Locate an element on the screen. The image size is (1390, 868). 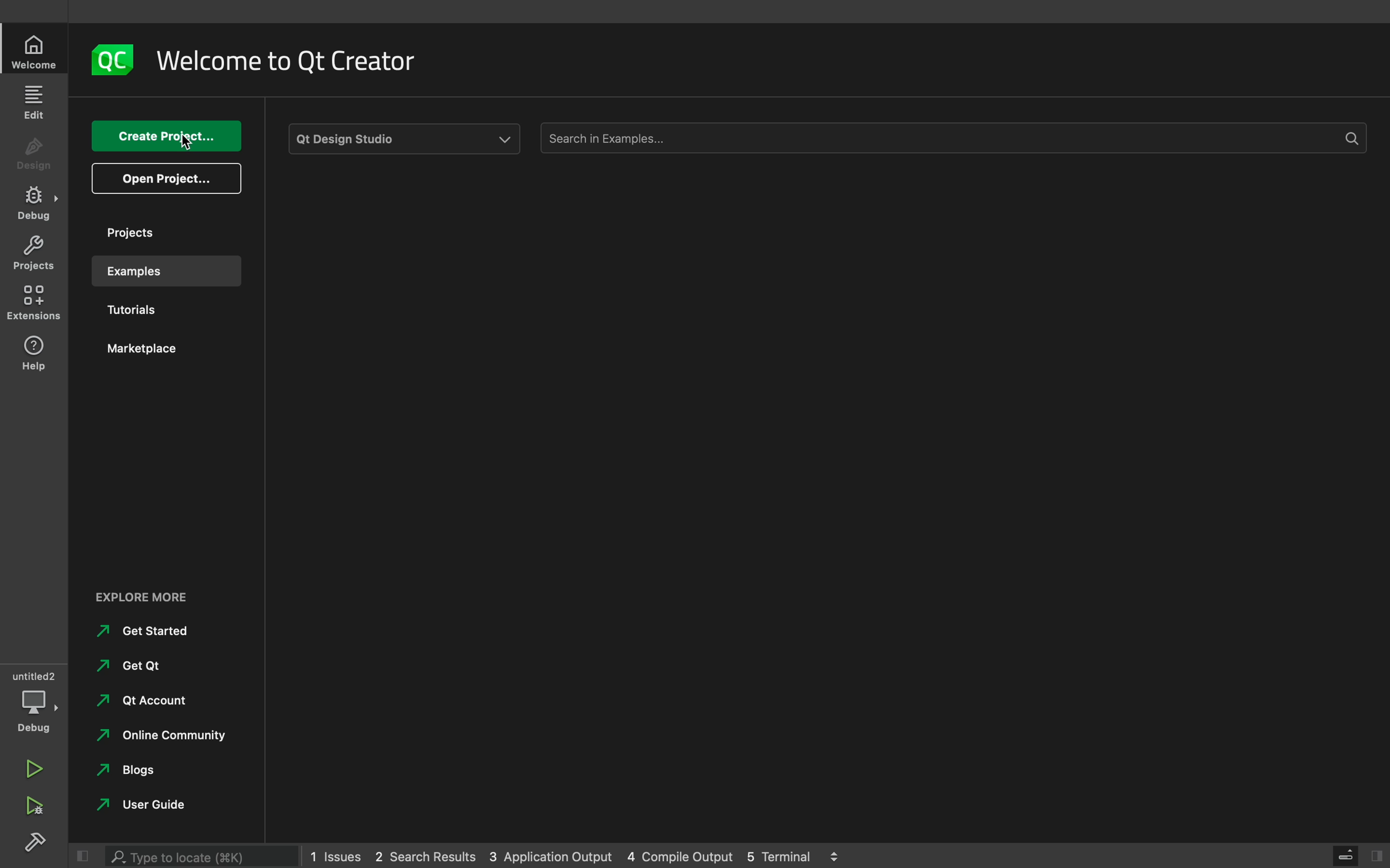
blogs is located at coordinates (130, 774).